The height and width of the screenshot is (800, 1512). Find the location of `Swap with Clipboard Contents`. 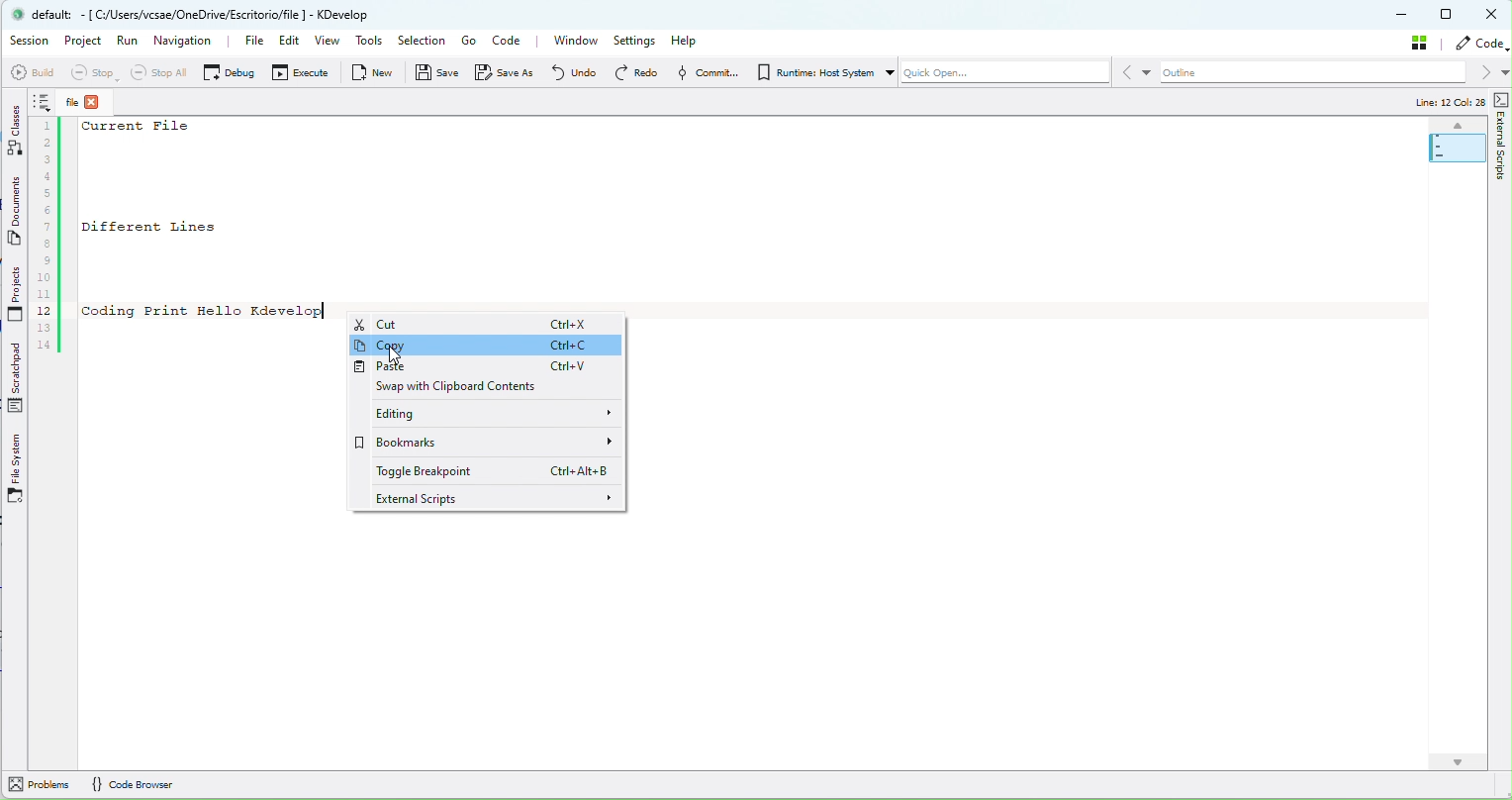

Swap with Clipboard Contents is located at coordinates (487, 387).